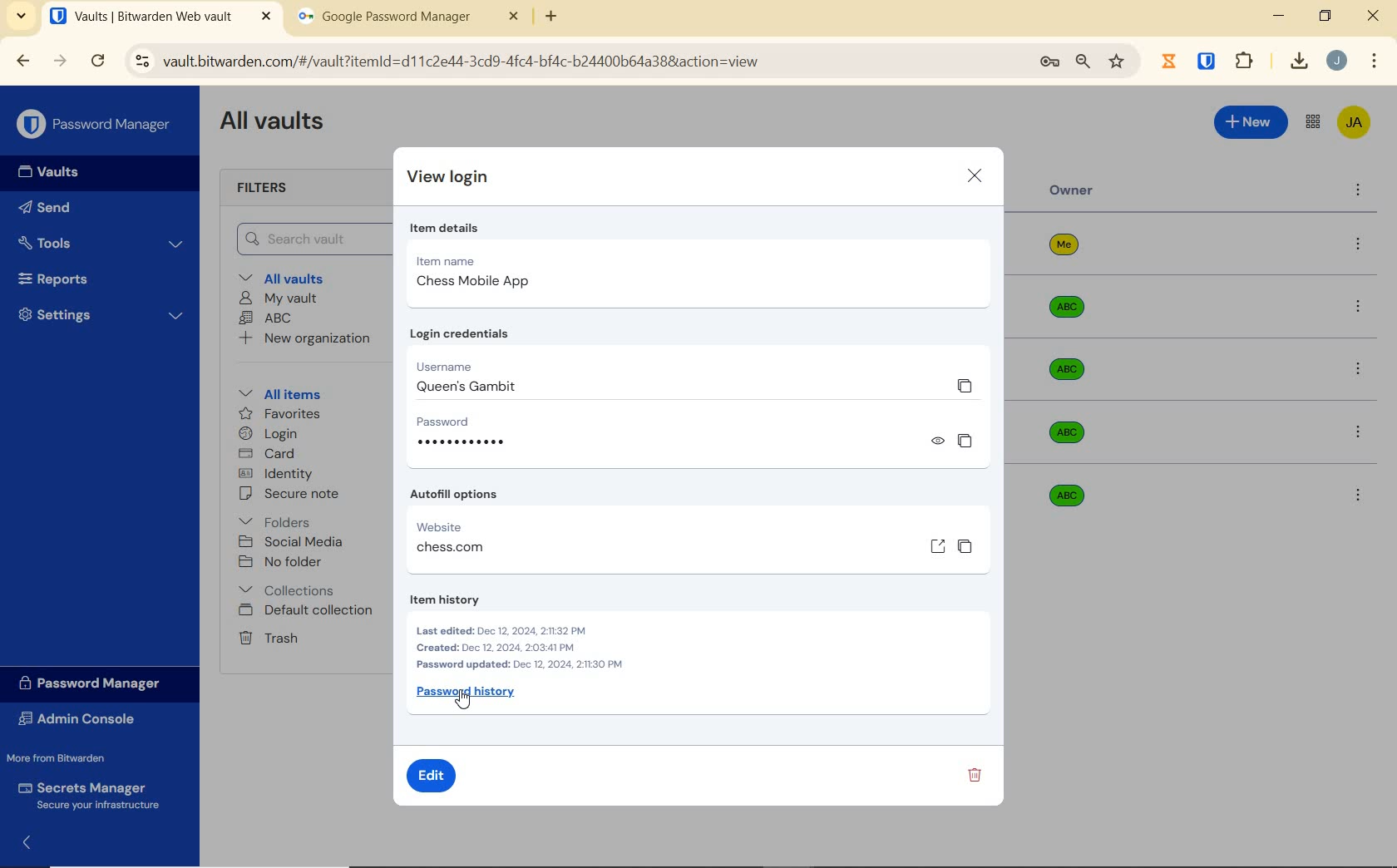 Image resolution: width=1397 pixels, height=868 pixels. What do you see at coordinates (1324, 15) in the screenshot?
I see `restore` at bounding box center [1324, 15].